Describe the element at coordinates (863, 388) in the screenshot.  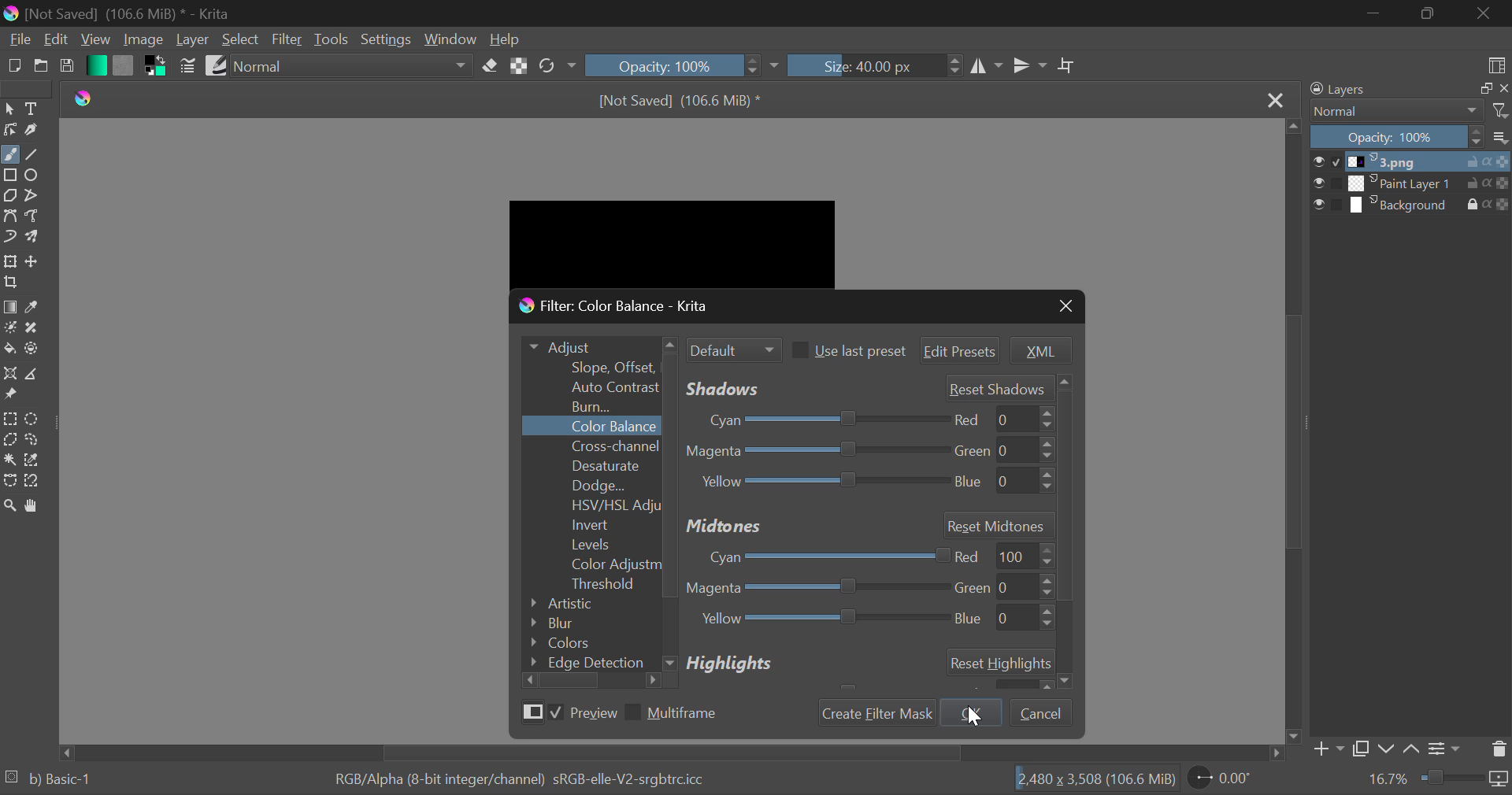
I see `Shadows' Adjustment Sliders` at that location.